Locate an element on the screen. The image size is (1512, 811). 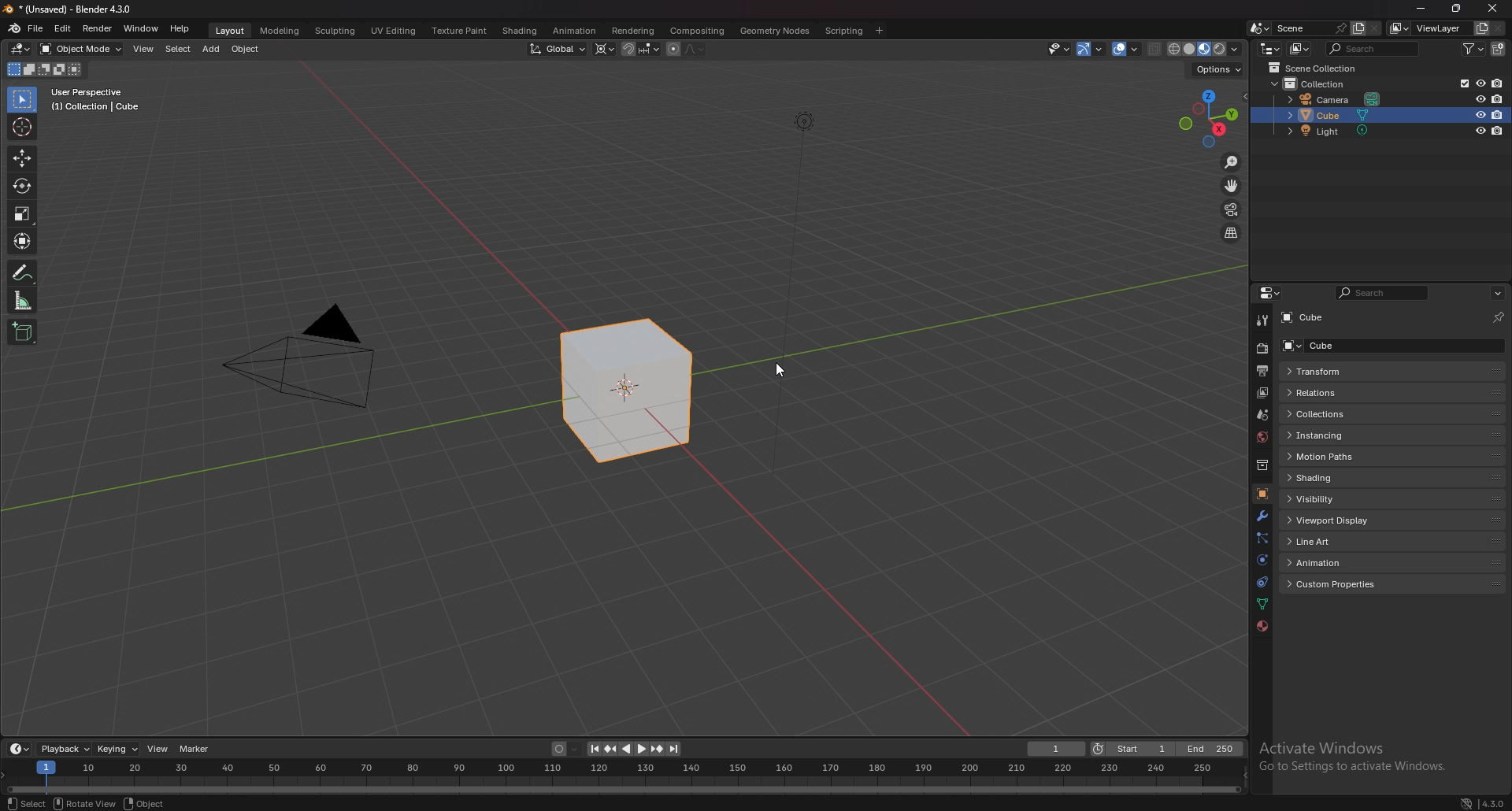
physics is located at coordinates (1260, 561).